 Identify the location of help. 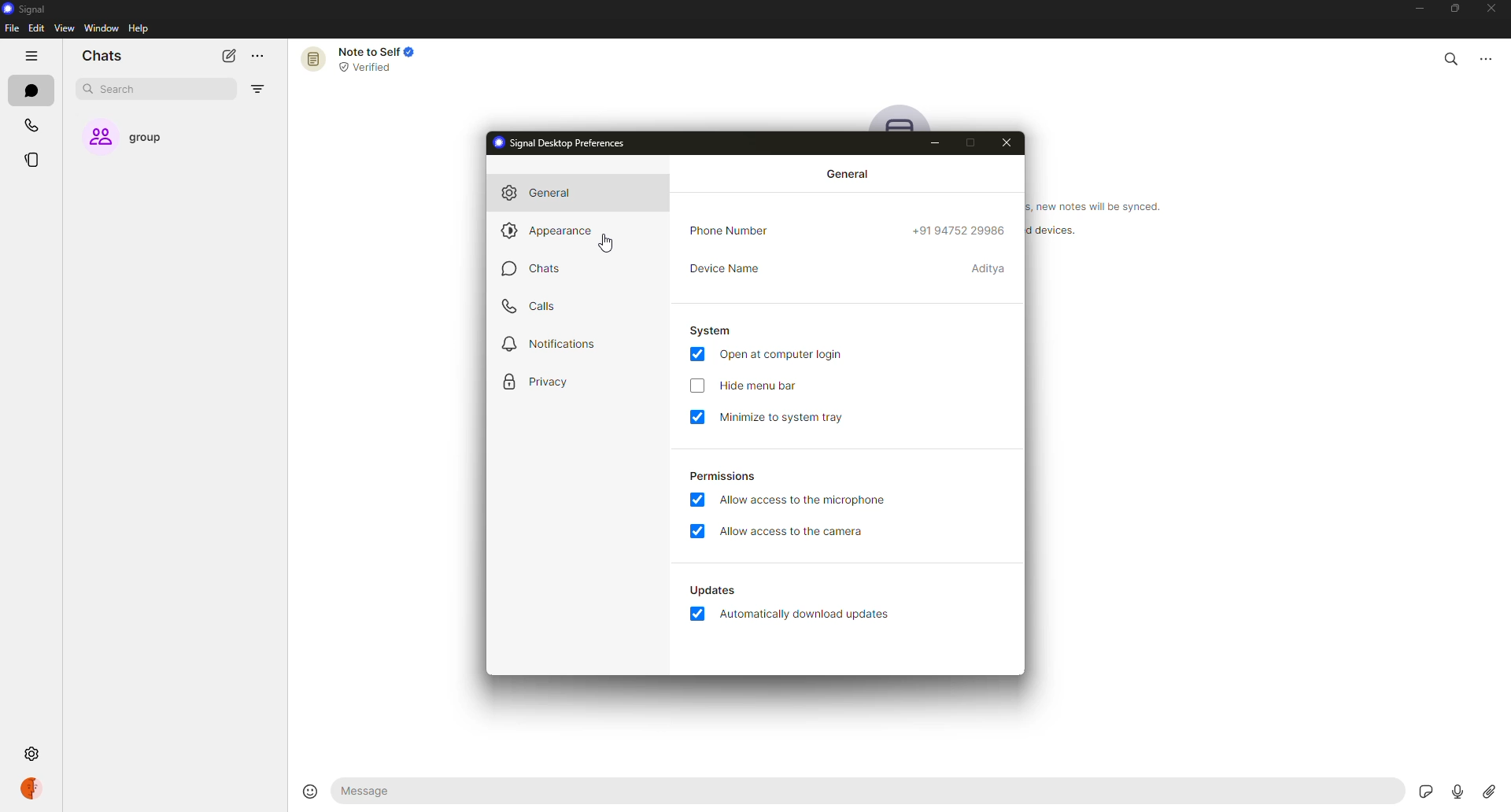
(140, 28).